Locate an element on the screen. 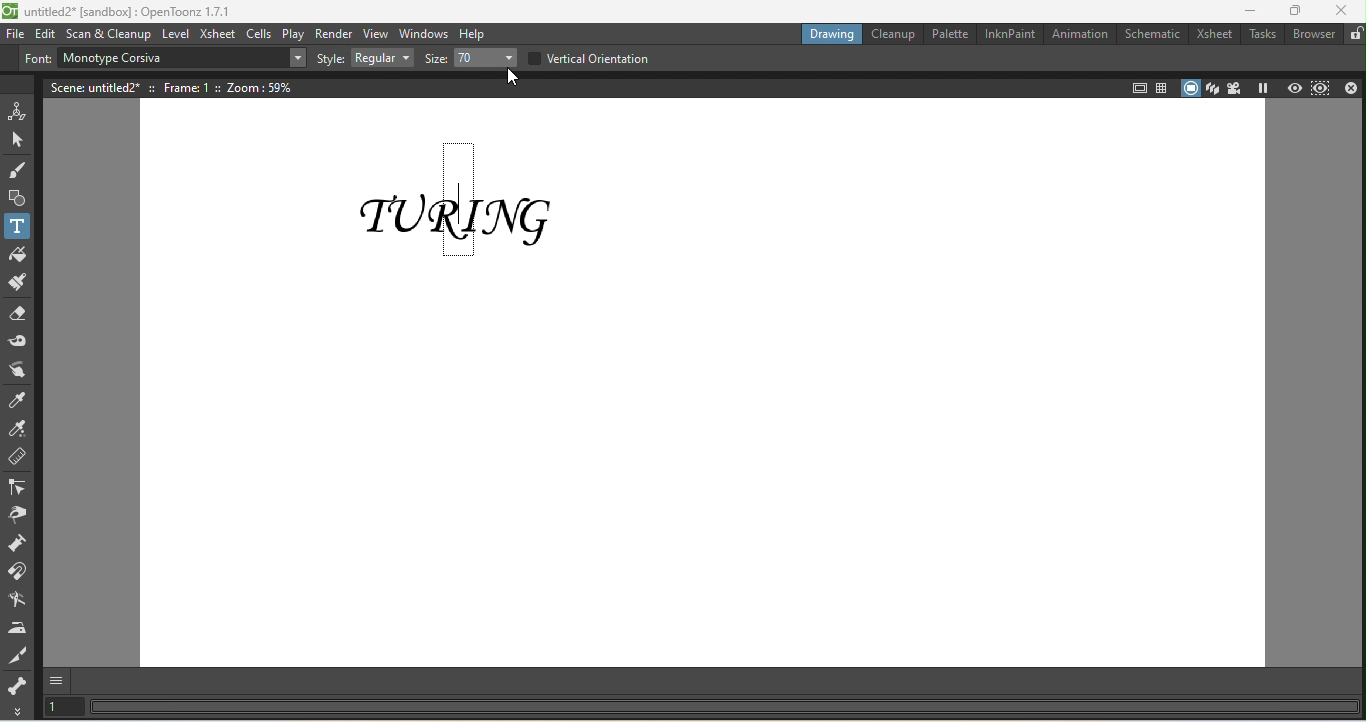  Scene details is located at coordinates (180, 86).